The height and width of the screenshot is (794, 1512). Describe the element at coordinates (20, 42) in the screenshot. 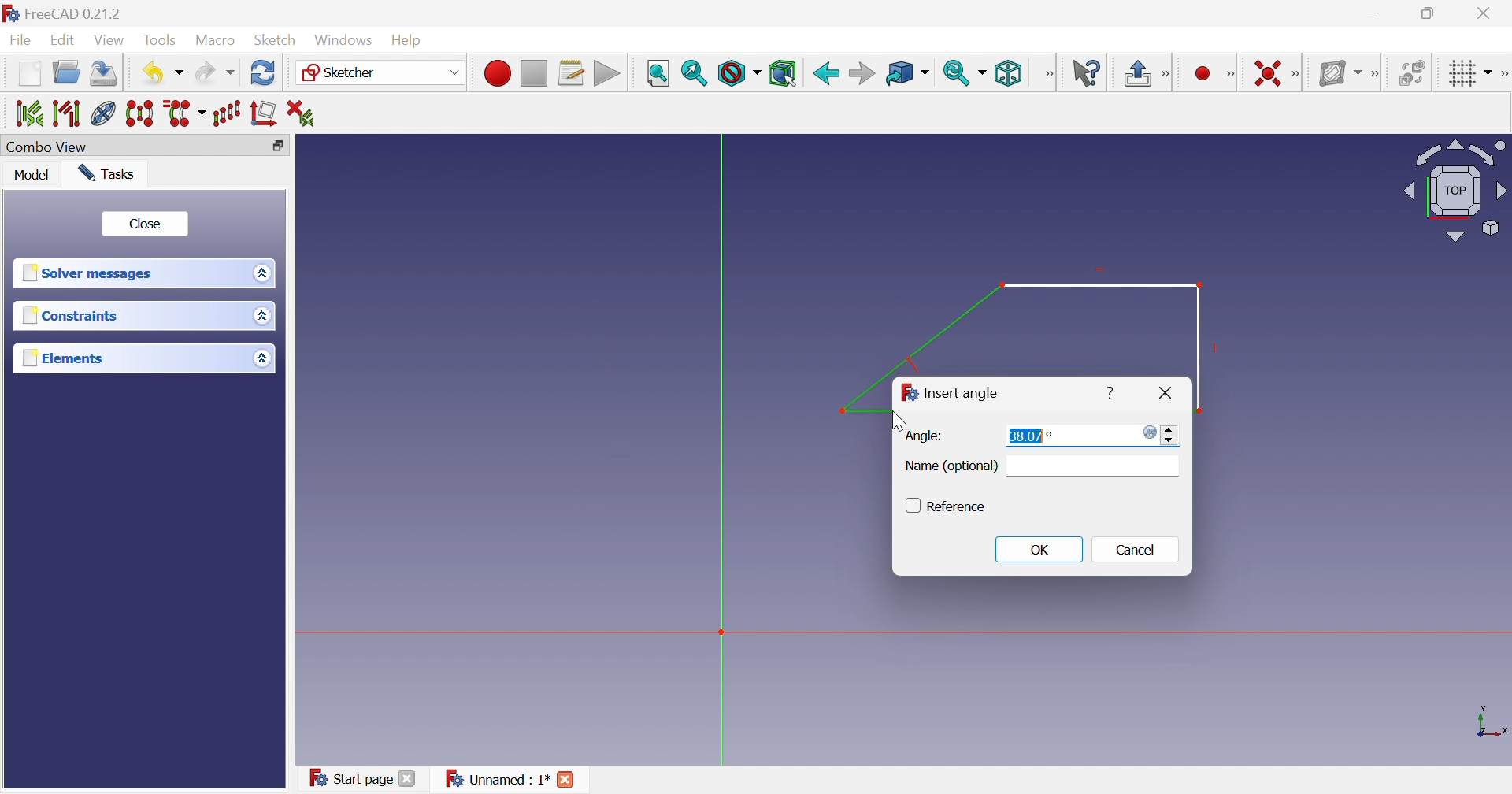

I see `File` at that location.